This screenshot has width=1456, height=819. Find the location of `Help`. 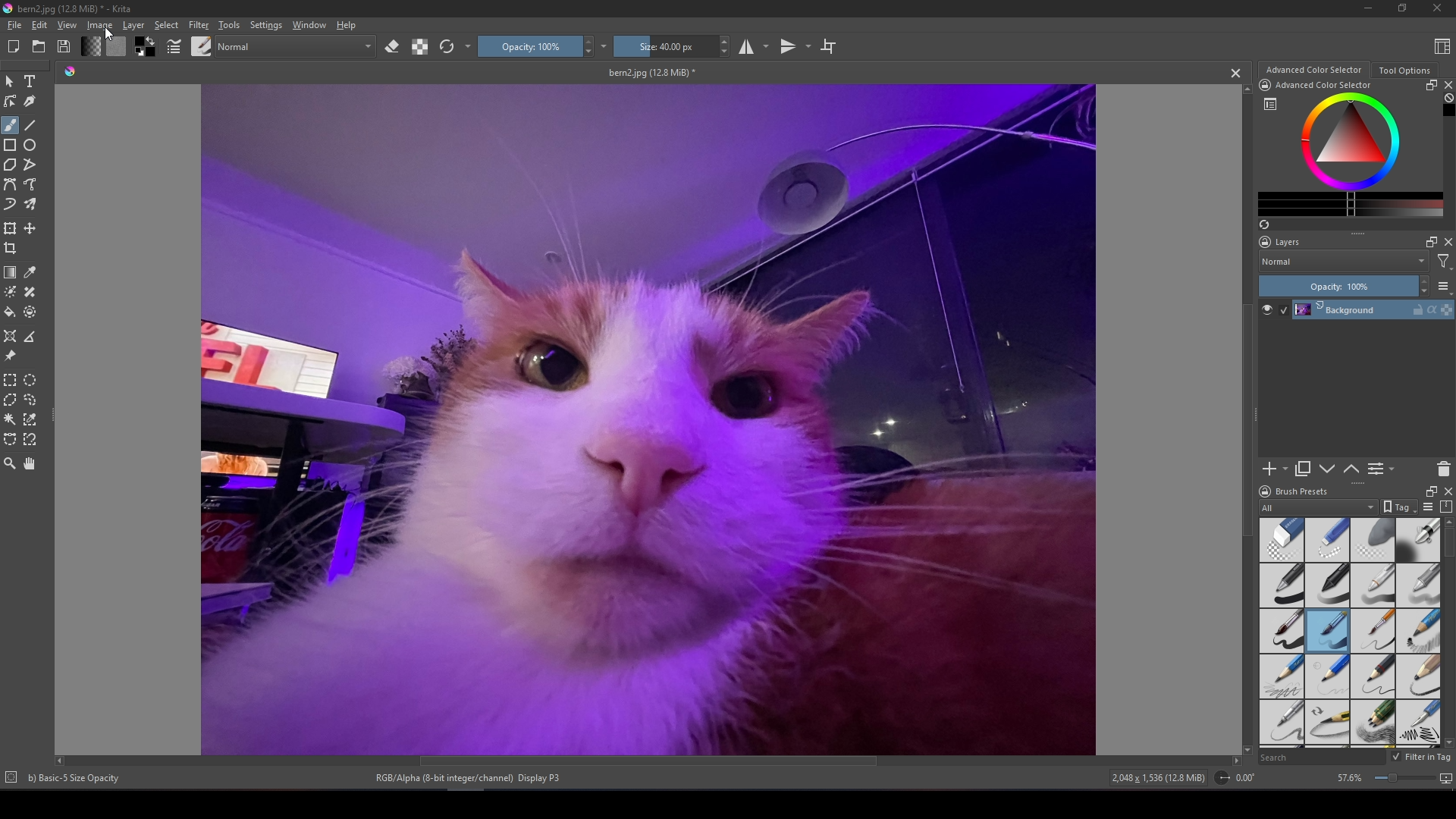

Help is located at coordinates (347, 24).